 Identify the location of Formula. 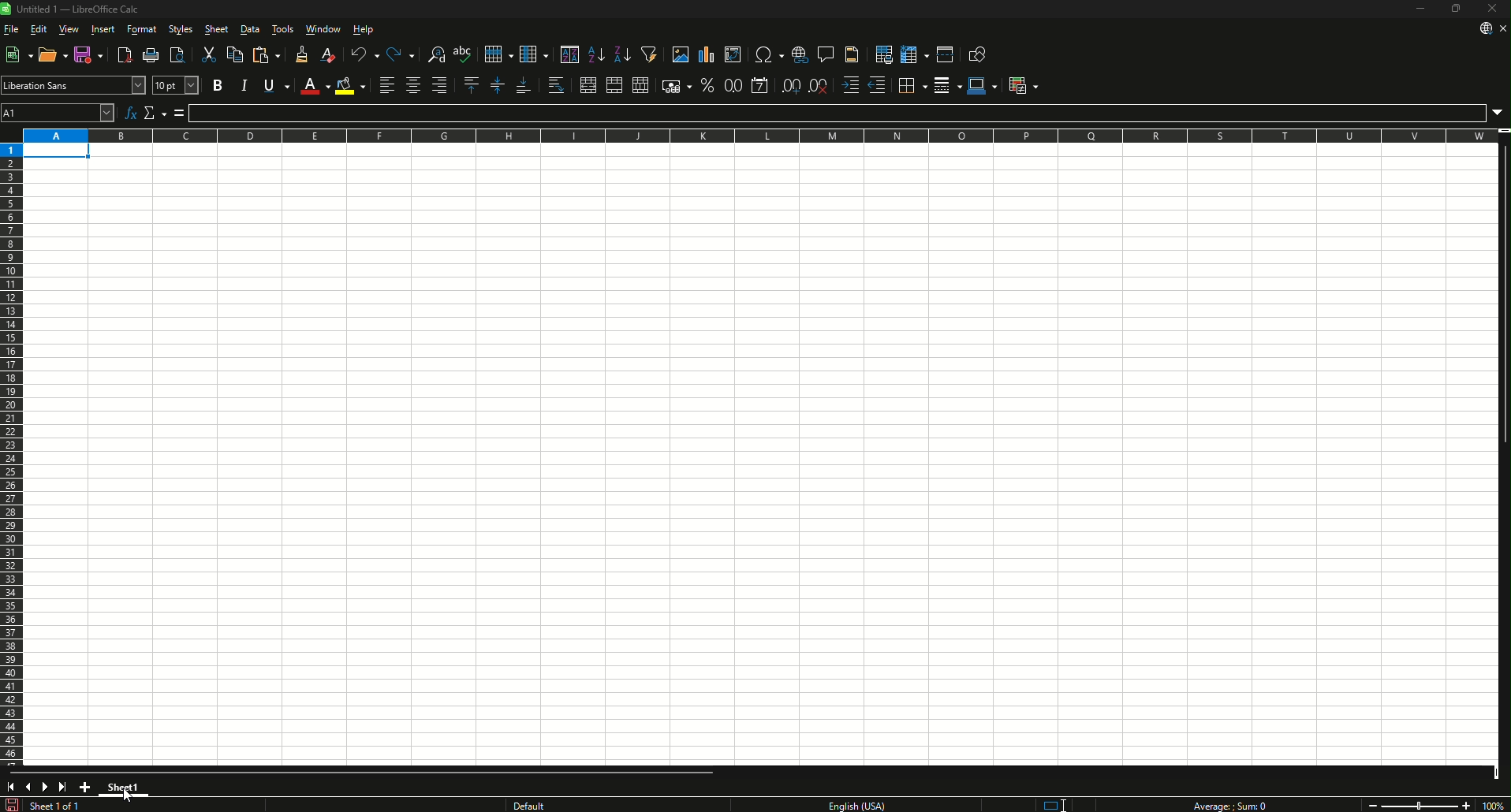
(837, 114).